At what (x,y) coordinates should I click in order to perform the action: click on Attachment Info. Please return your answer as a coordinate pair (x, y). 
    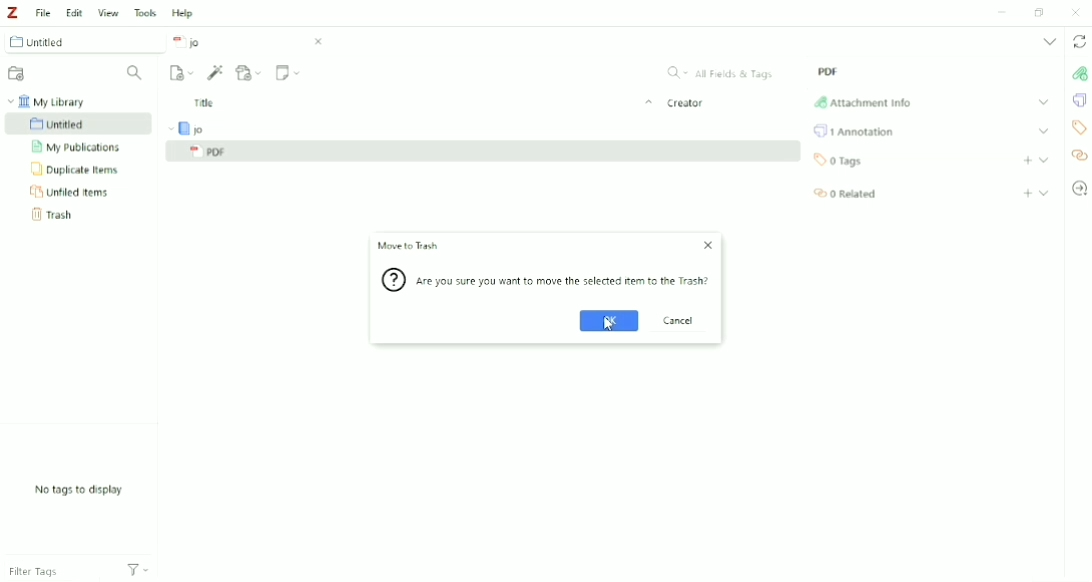
    Looking at the image, I should click on (861, 102).